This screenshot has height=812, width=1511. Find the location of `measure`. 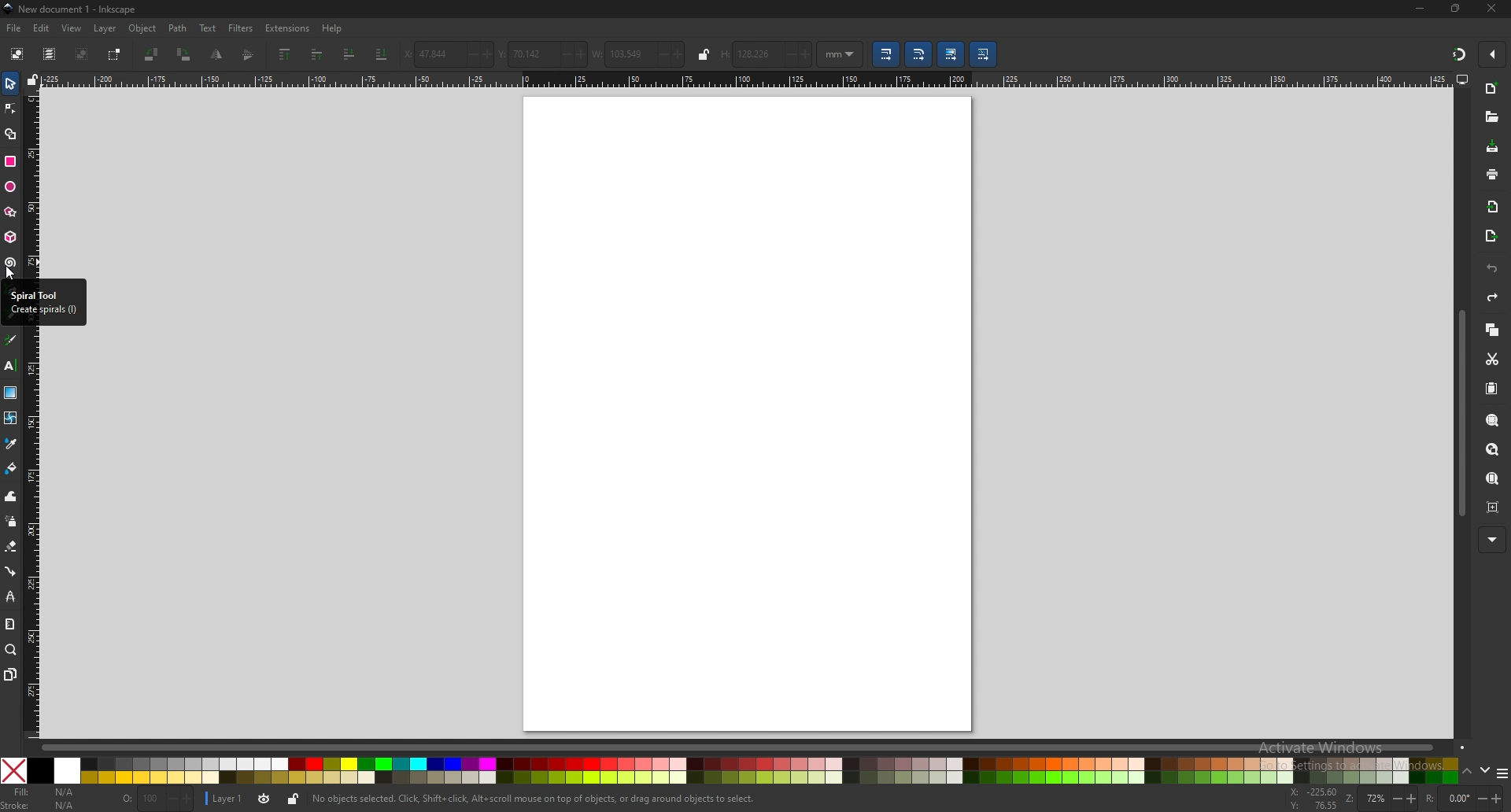

measure is located at coordinates (10, 624).